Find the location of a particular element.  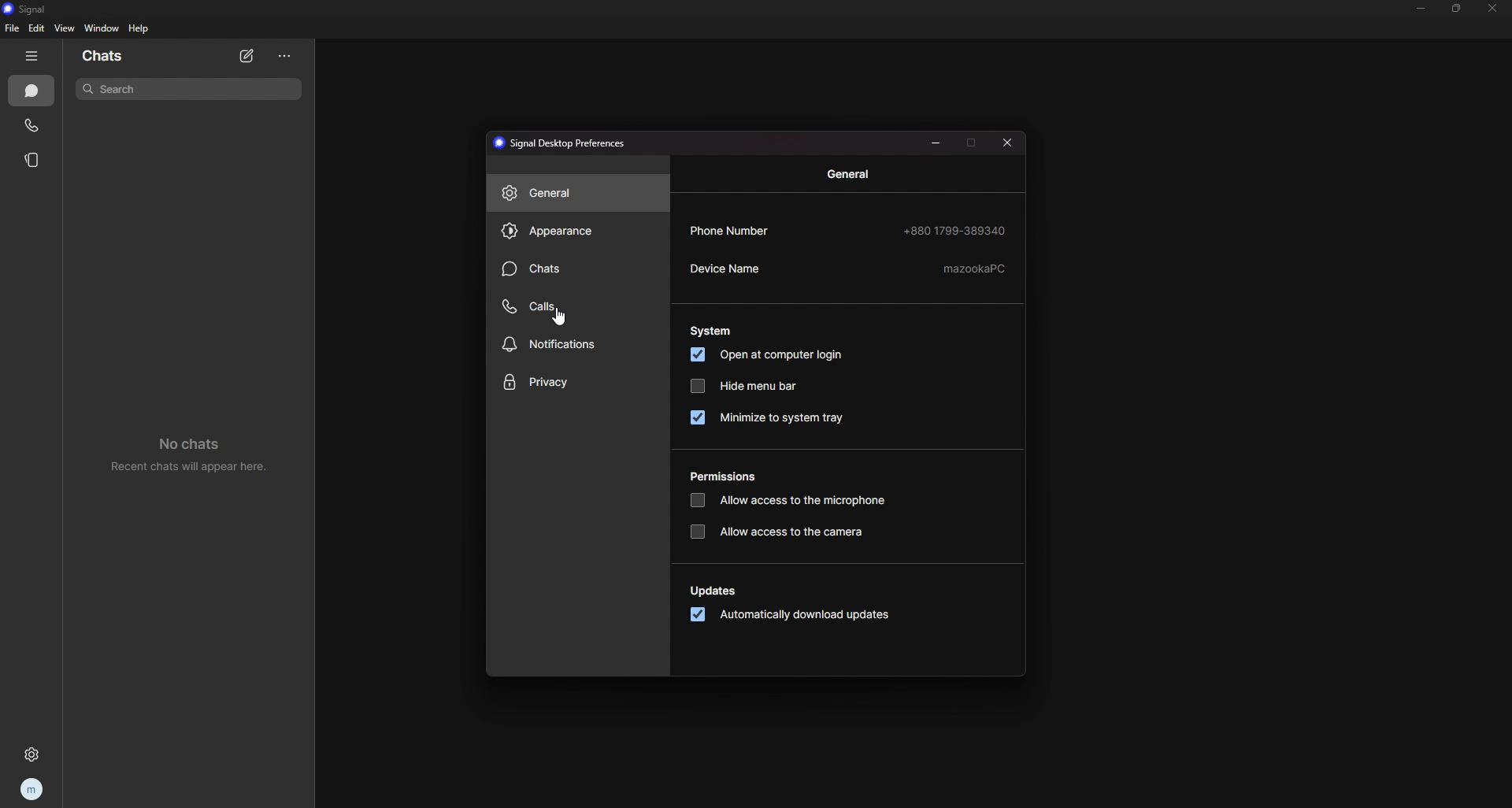

close is located at coordinates (1494, 9).